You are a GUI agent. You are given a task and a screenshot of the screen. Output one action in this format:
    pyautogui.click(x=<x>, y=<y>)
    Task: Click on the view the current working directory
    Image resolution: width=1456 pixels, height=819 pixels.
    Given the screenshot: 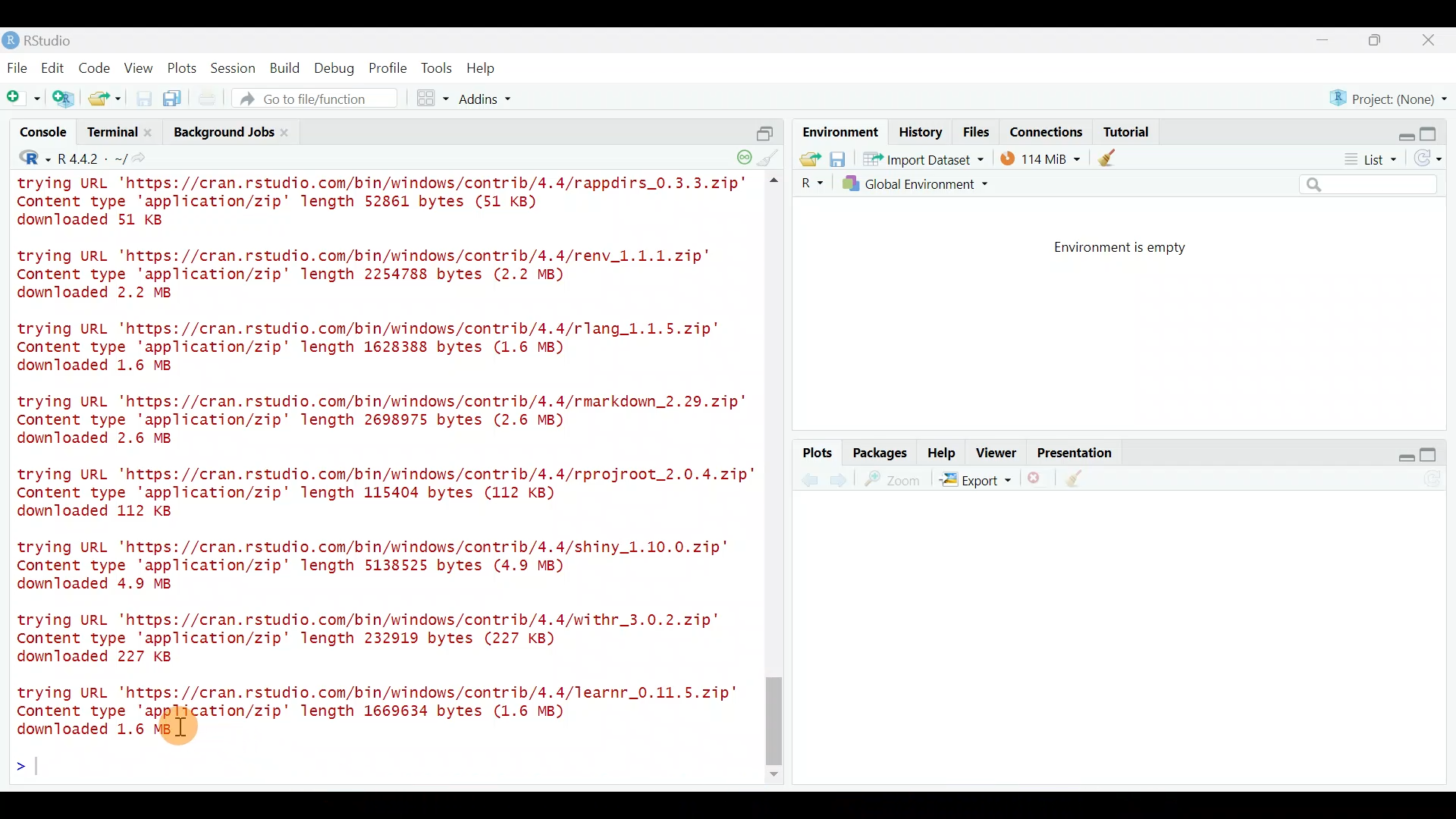 What is the action you would take?
    pyautogui.click(x=145, y=158)
    